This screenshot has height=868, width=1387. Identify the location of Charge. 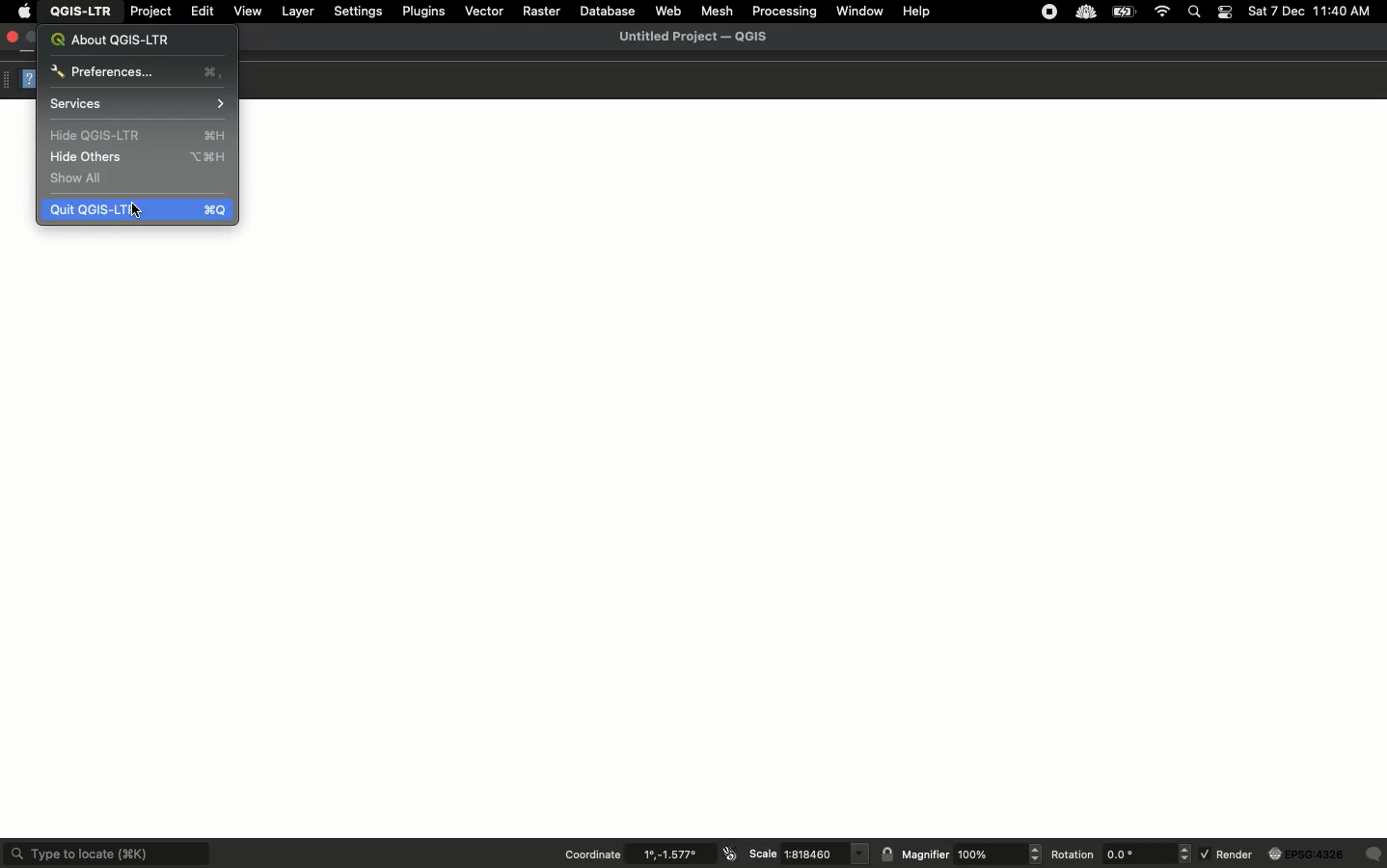
(1127, 13).